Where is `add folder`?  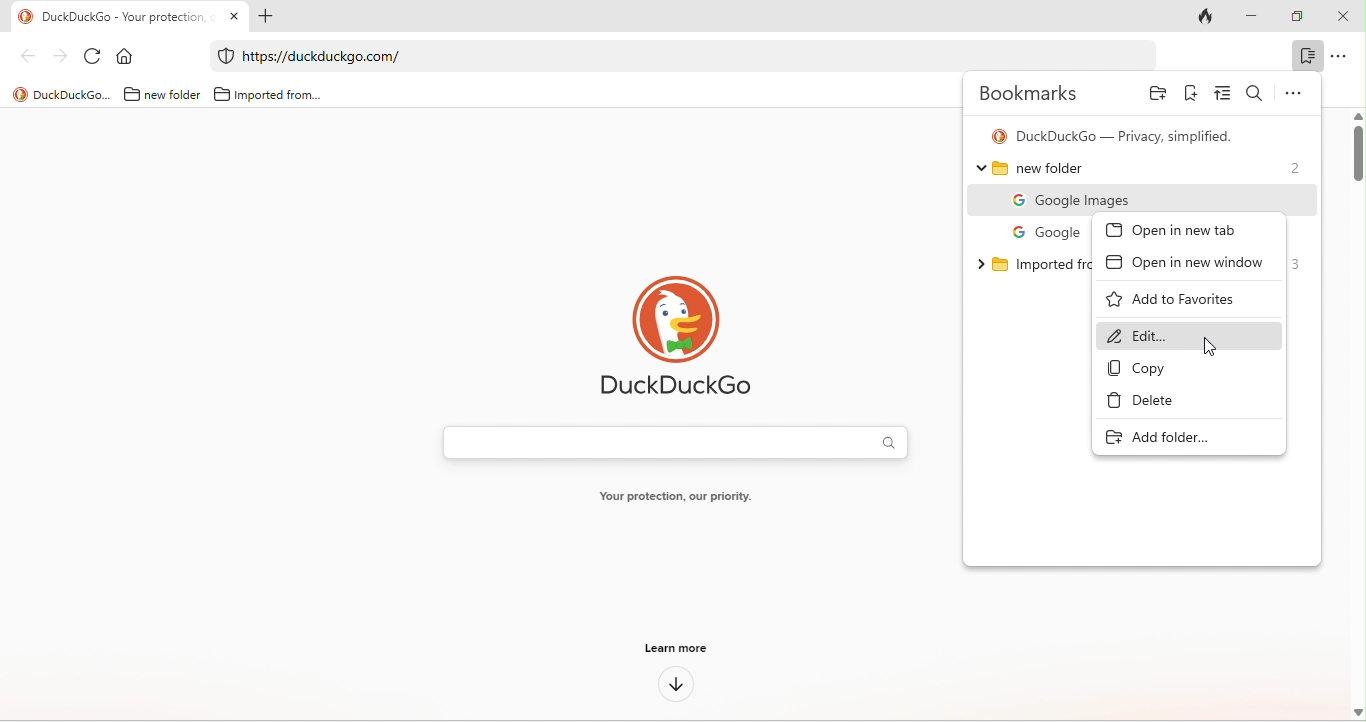
add folder is located at coordinates (1185, 438).